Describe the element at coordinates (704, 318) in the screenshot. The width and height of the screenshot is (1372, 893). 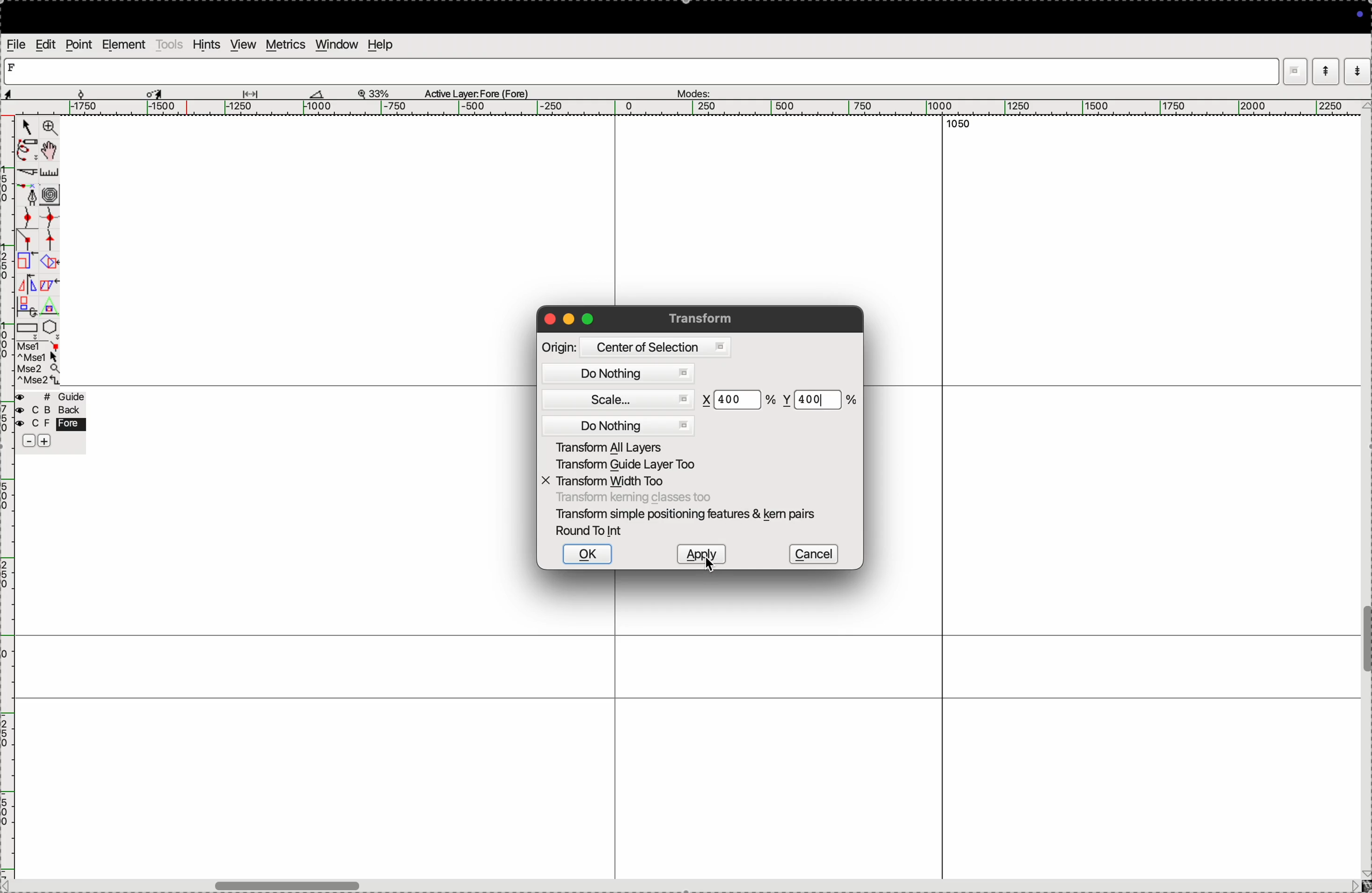
I see `transform` at that location.